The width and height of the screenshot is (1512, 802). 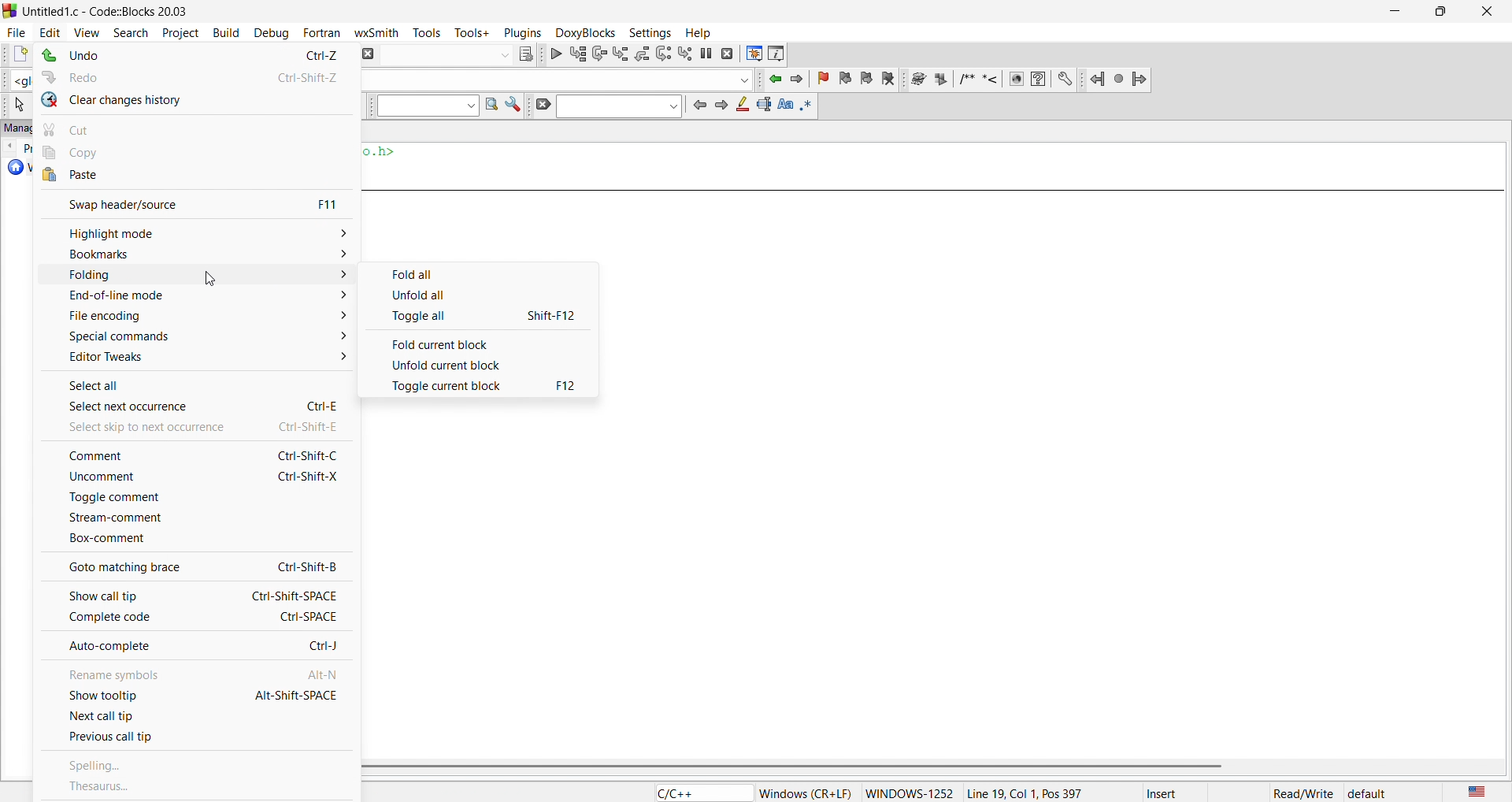 I want to click on toggle all, so click(x=481, y=317).